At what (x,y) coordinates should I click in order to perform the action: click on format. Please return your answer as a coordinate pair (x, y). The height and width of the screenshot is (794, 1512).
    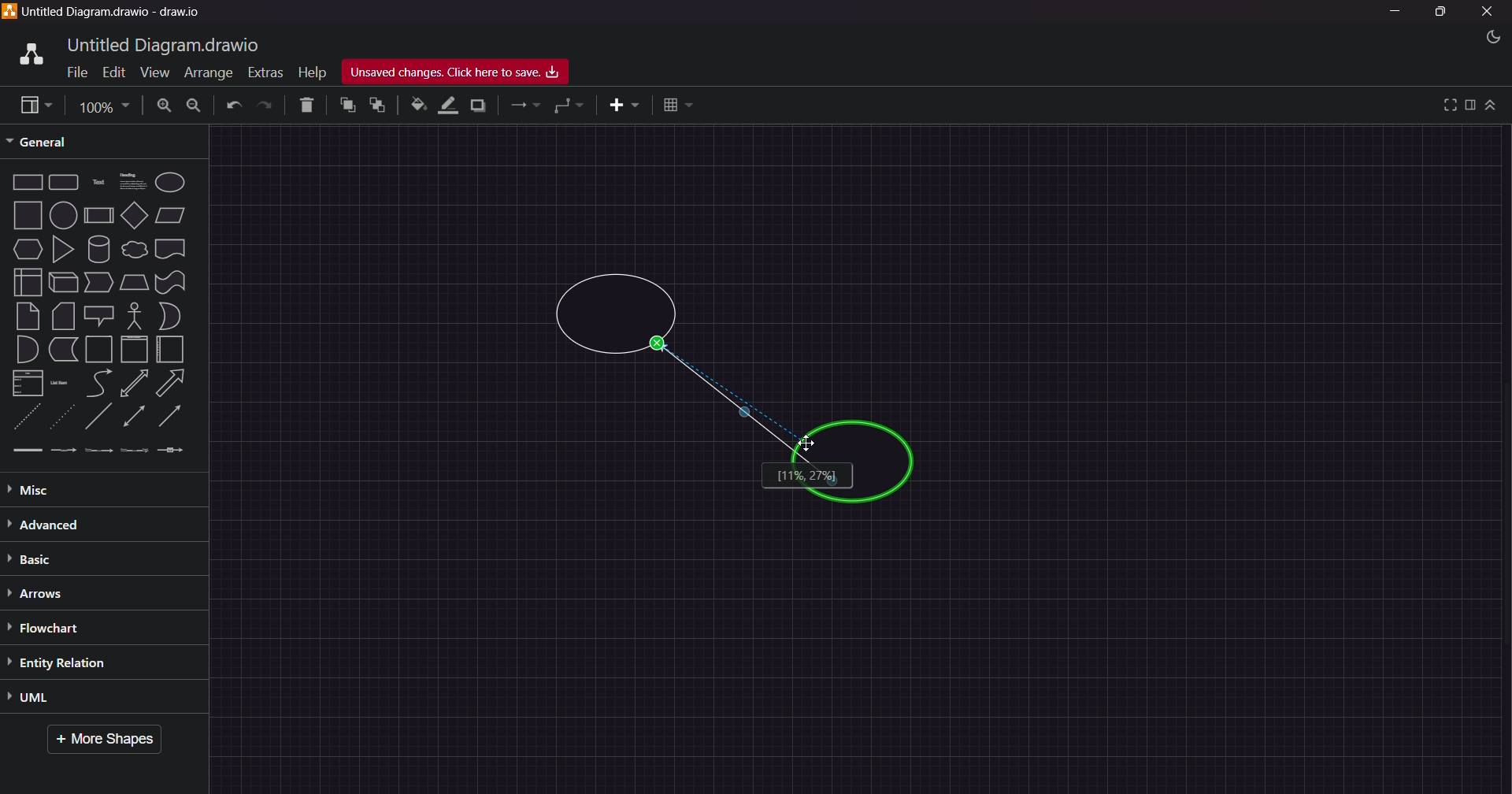
    Looking at the image, I should click on (1470, 105).